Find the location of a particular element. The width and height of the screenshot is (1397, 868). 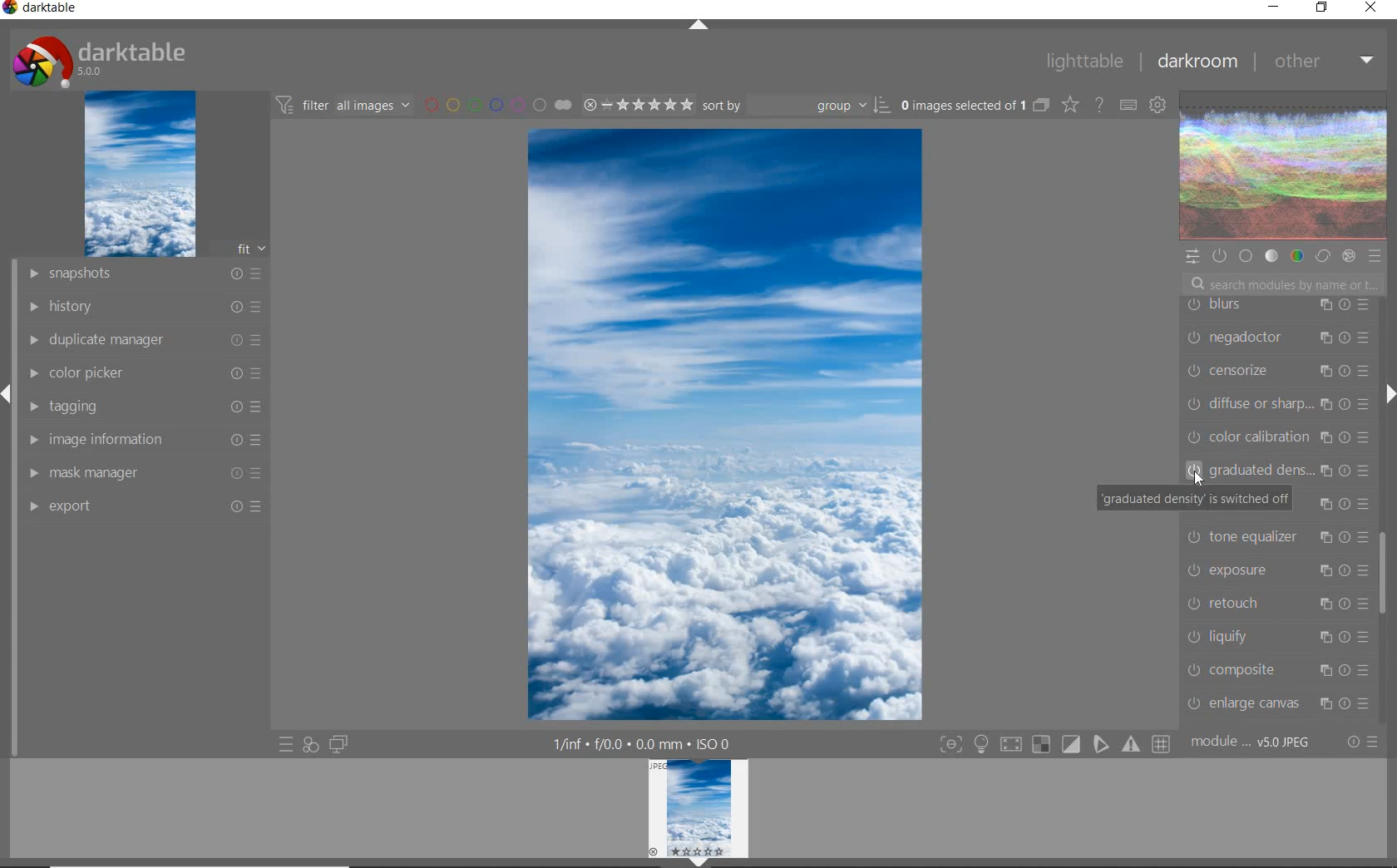

composite is located at coordinates (1281, 669).